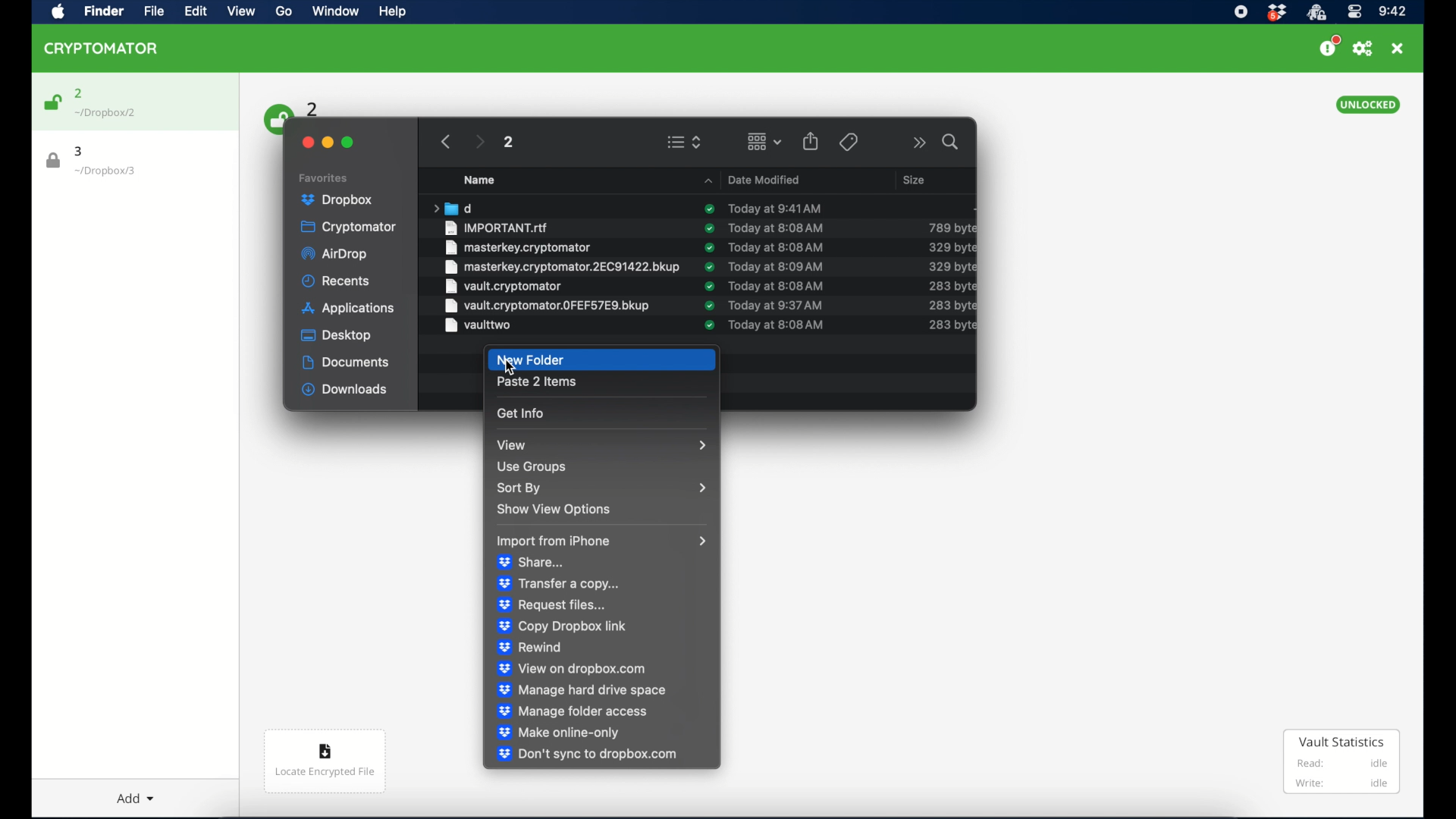 This screenshot has width=1456, height=819. What do you see at coordinates (334, 254) in the screenshot?
I see `airdrop` at bounding box center [334, 254].